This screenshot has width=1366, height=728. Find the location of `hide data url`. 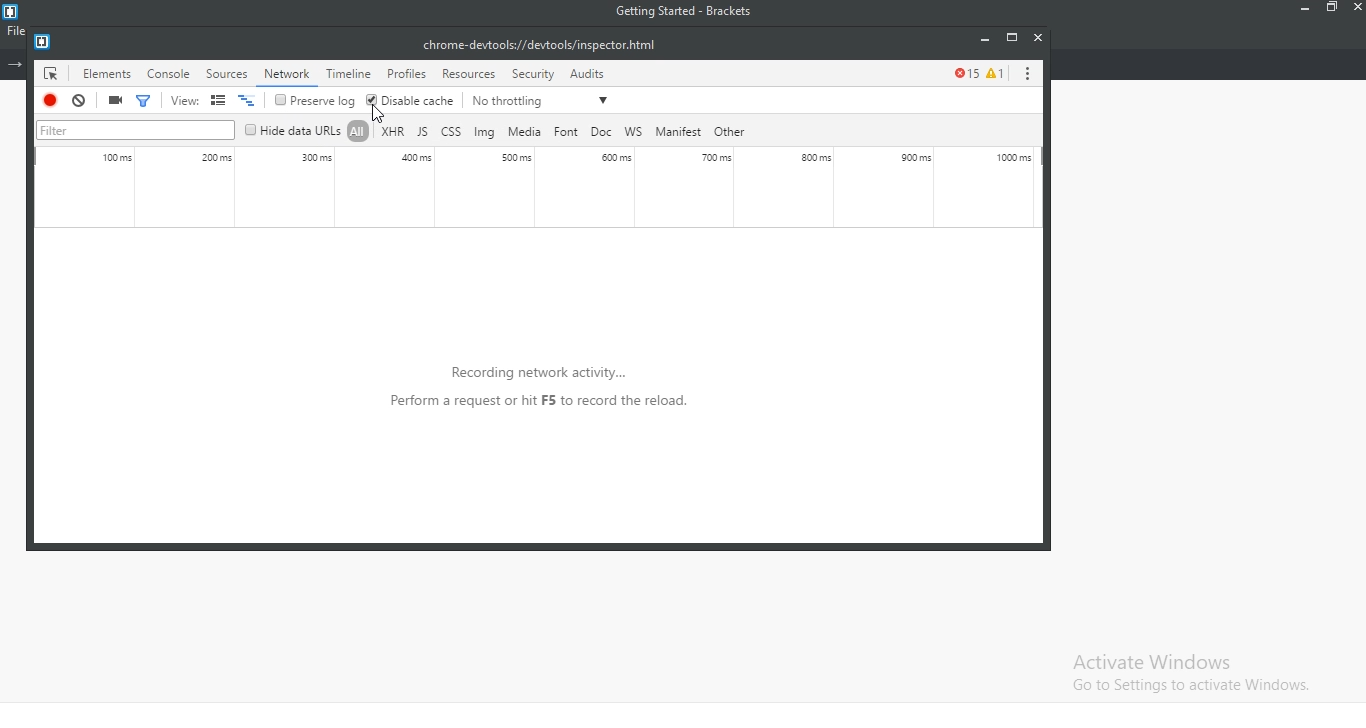

hide data url is located at coordinates (293, 130).